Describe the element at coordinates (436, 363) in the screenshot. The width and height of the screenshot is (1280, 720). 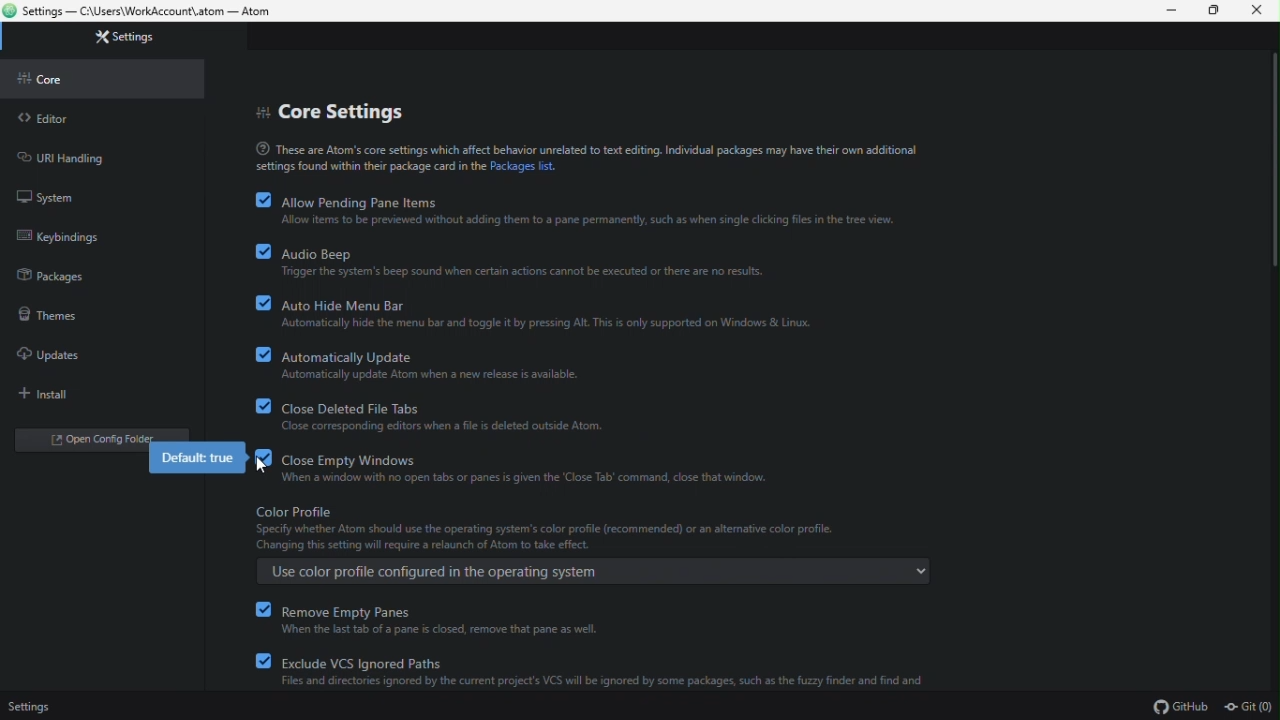
I see `automatically update` at that location.